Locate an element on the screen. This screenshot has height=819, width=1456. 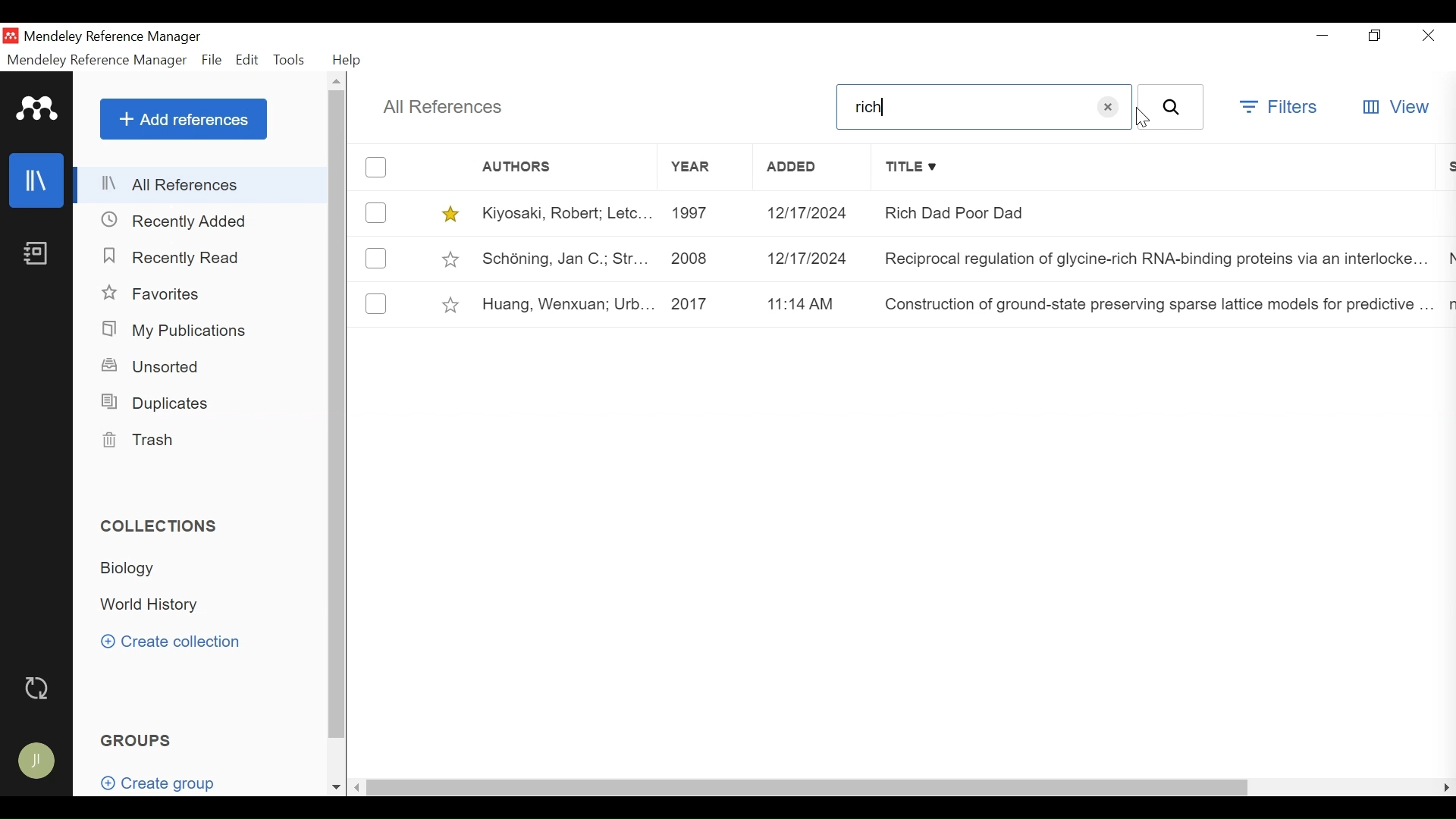
Mendeley Reference Manager is located at coordinates (137, 37).